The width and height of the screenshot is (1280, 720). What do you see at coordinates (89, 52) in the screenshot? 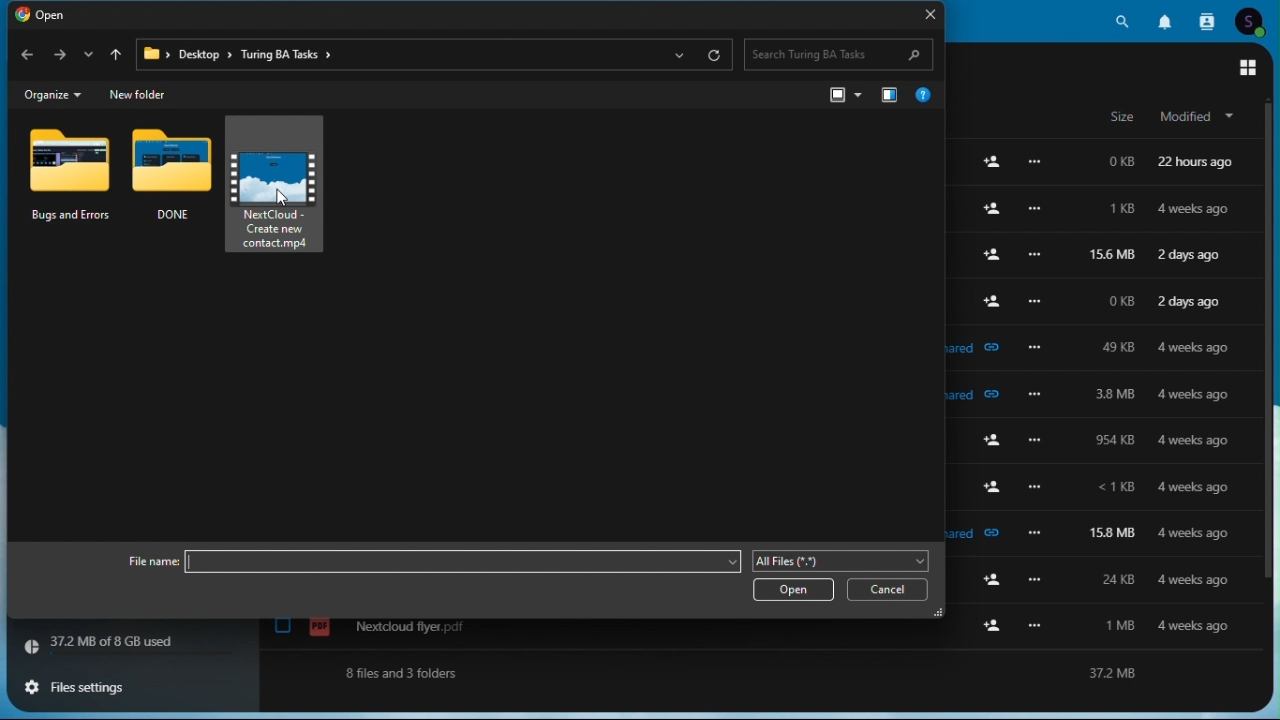
I see `down` at bounding box center [89, 52].